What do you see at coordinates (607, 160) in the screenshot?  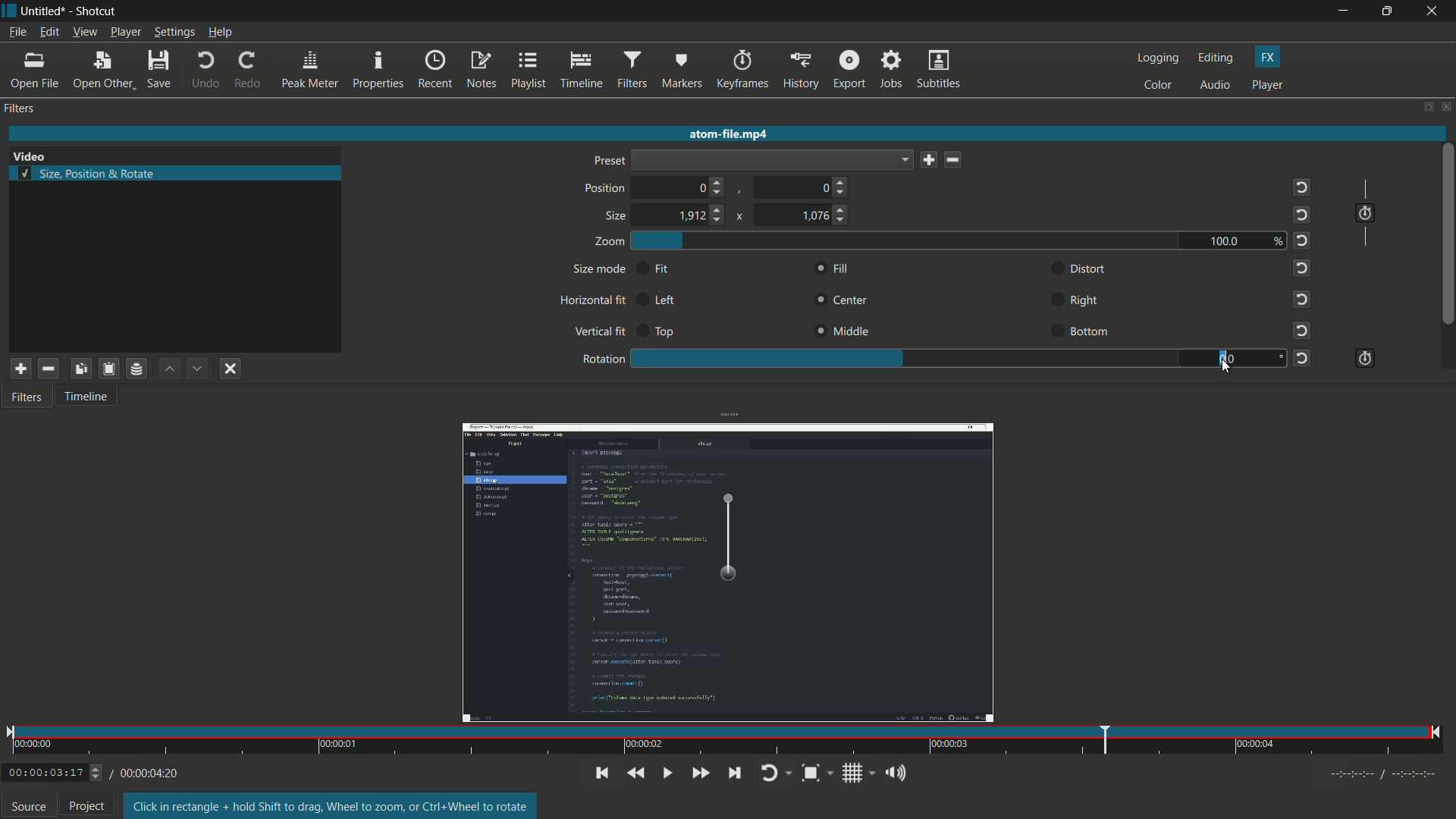 I see `preset` at bounding box center [607, 160].